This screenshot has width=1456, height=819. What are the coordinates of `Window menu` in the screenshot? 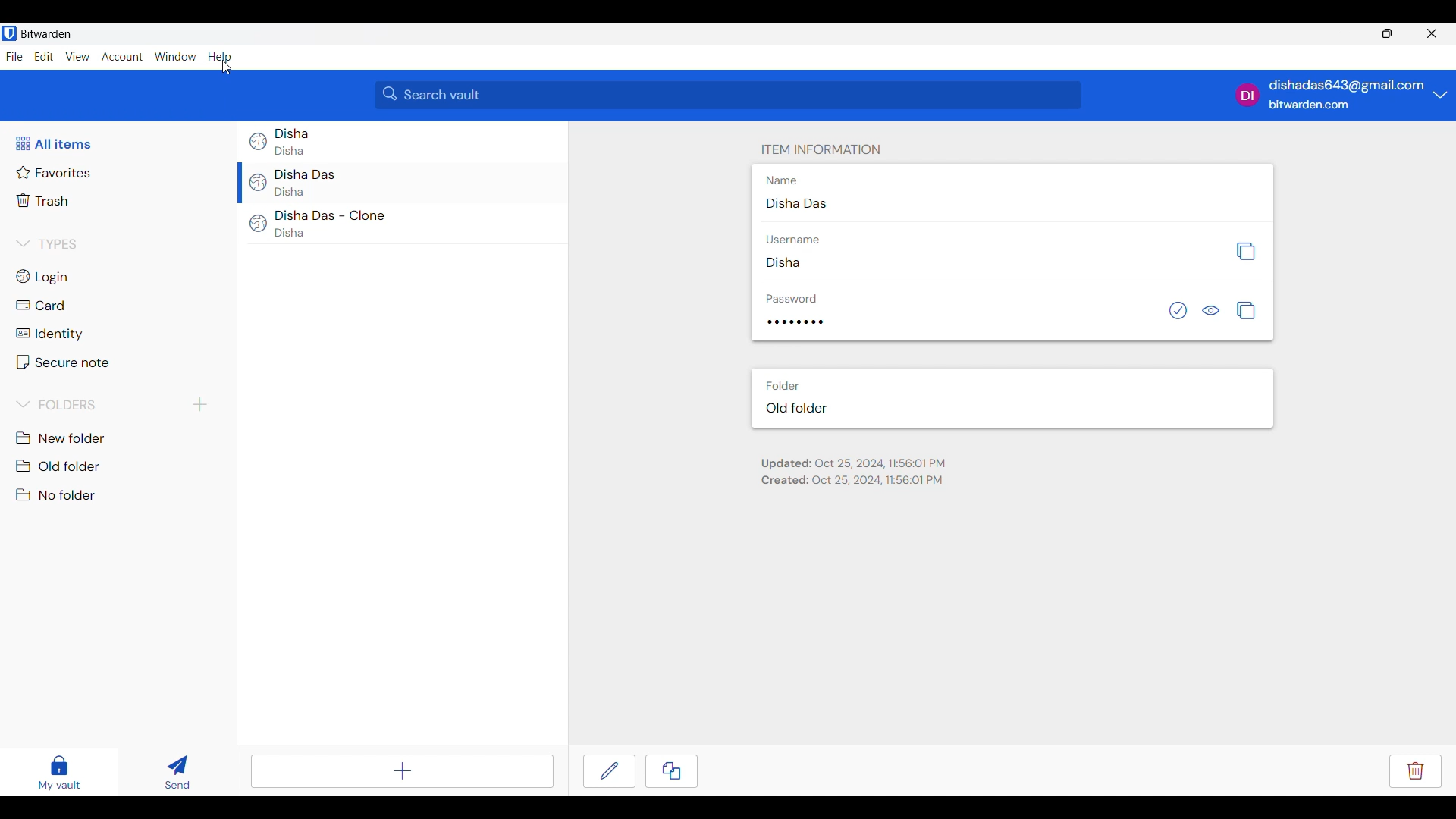 It's located at (175, 56).